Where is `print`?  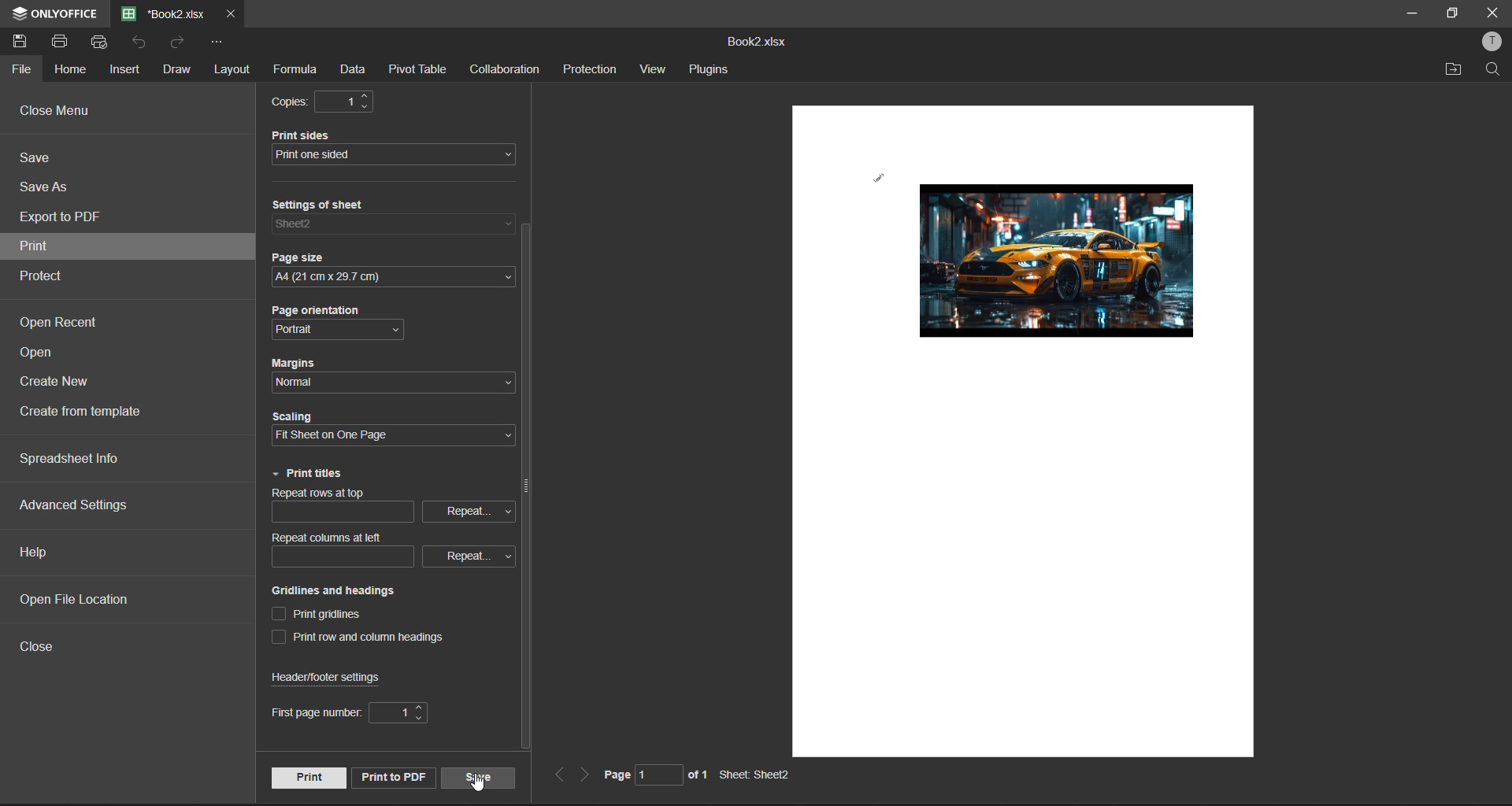 print is located at coordinates (307, 777).